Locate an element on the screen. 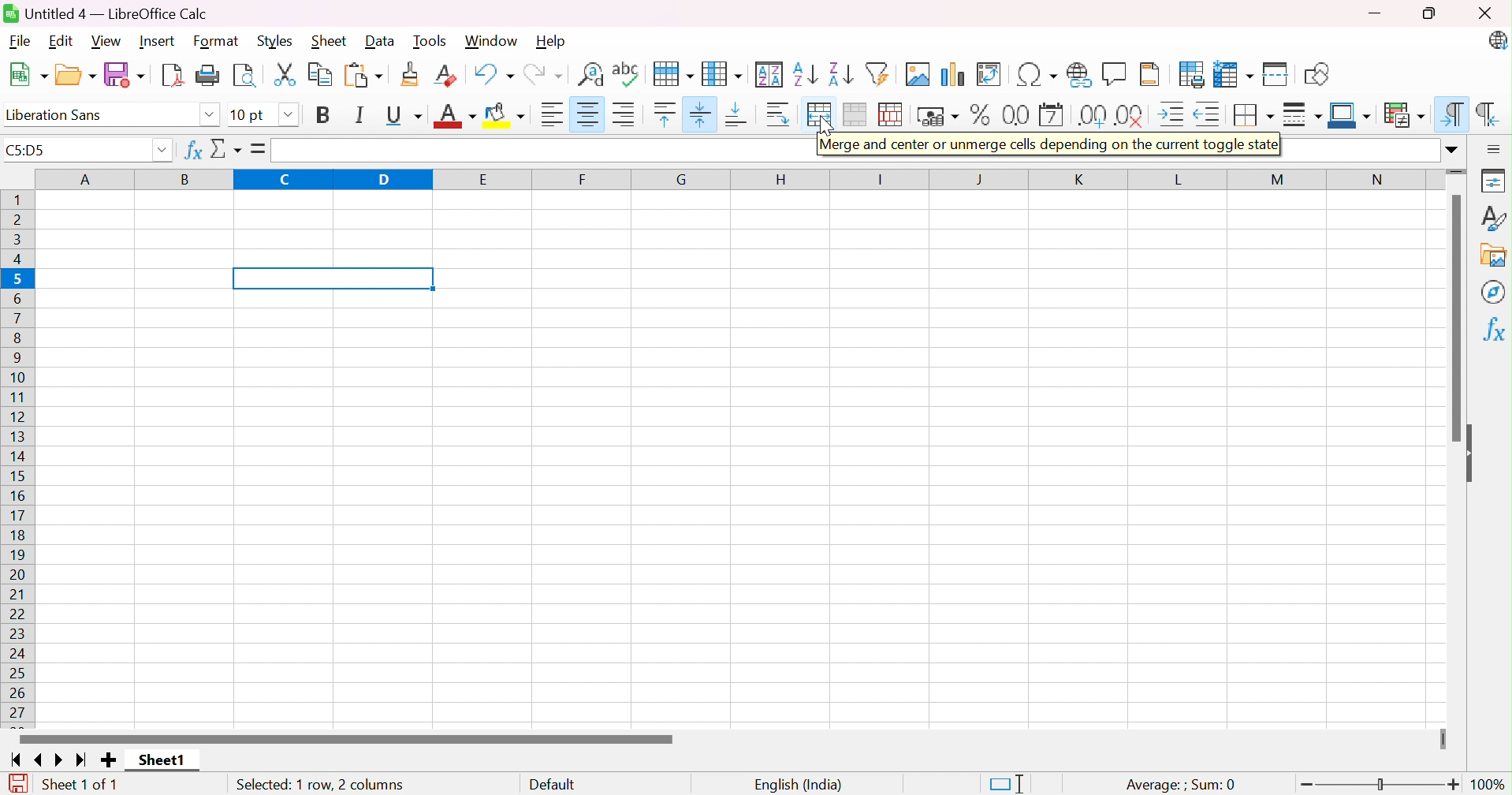  Spelling is located at coordinates (626, 74).